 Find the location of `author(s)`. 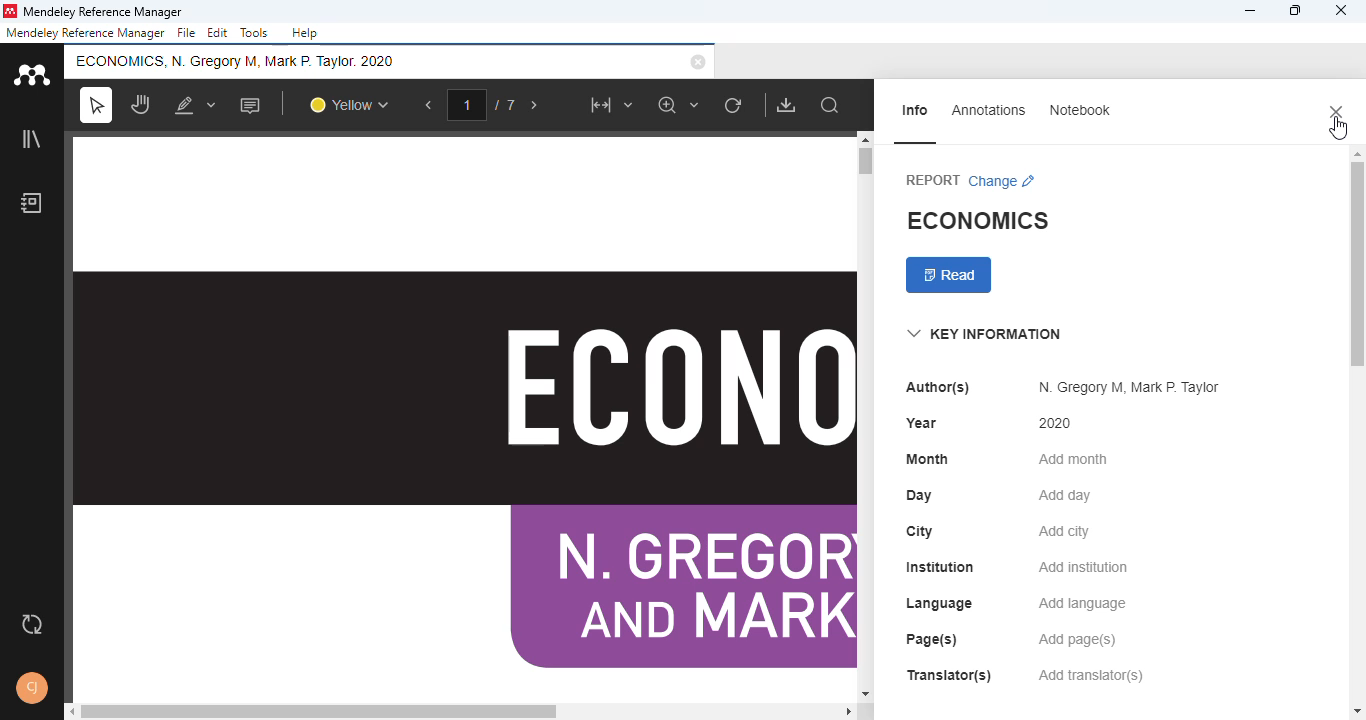

author(s) is located at coordinates (937, 388).